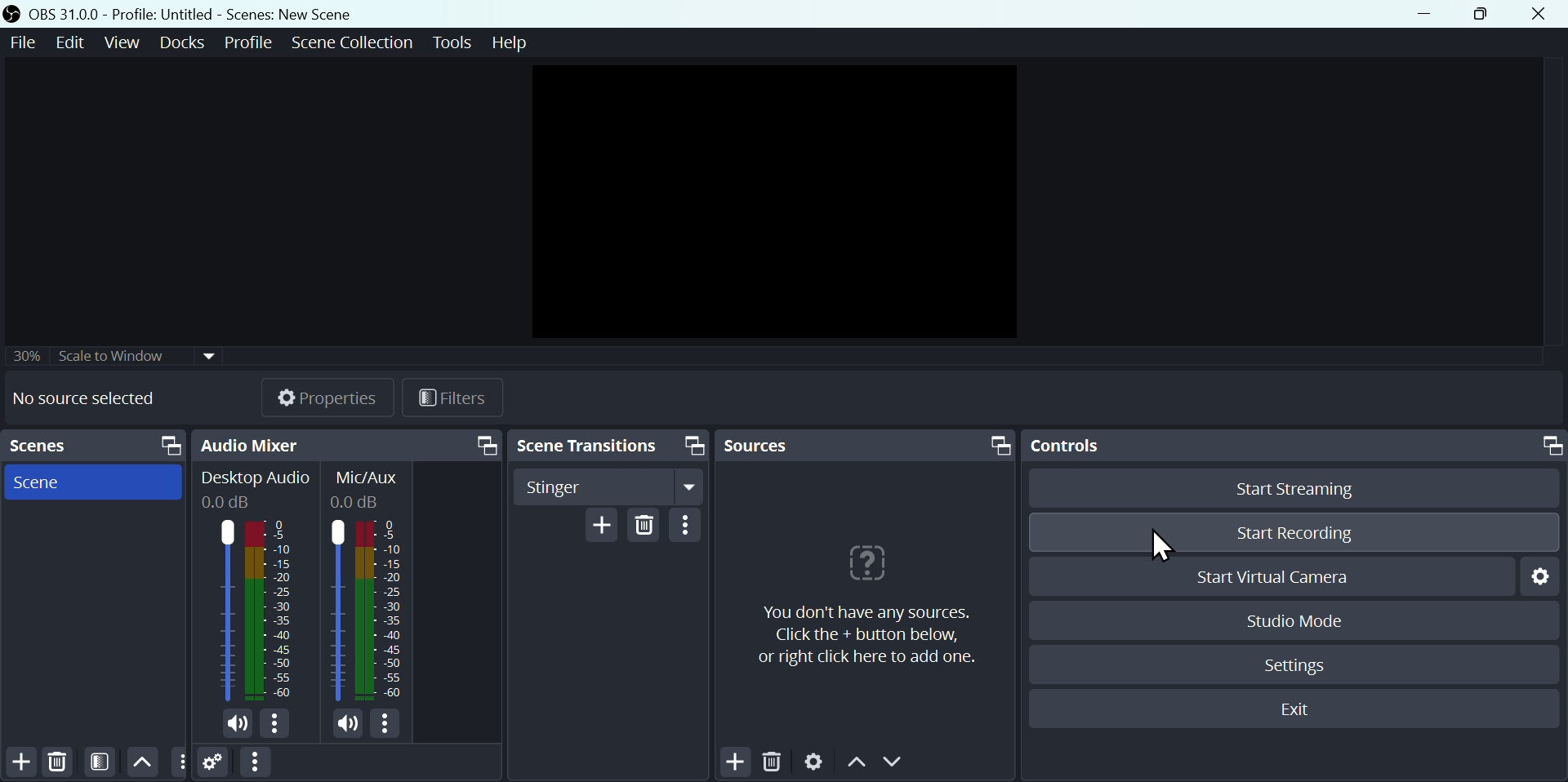 The height and width of the screenshot is (782, 1568). Describe the element at coordinates (1165, 547) in the screenshot. I see `cursor` at that location.